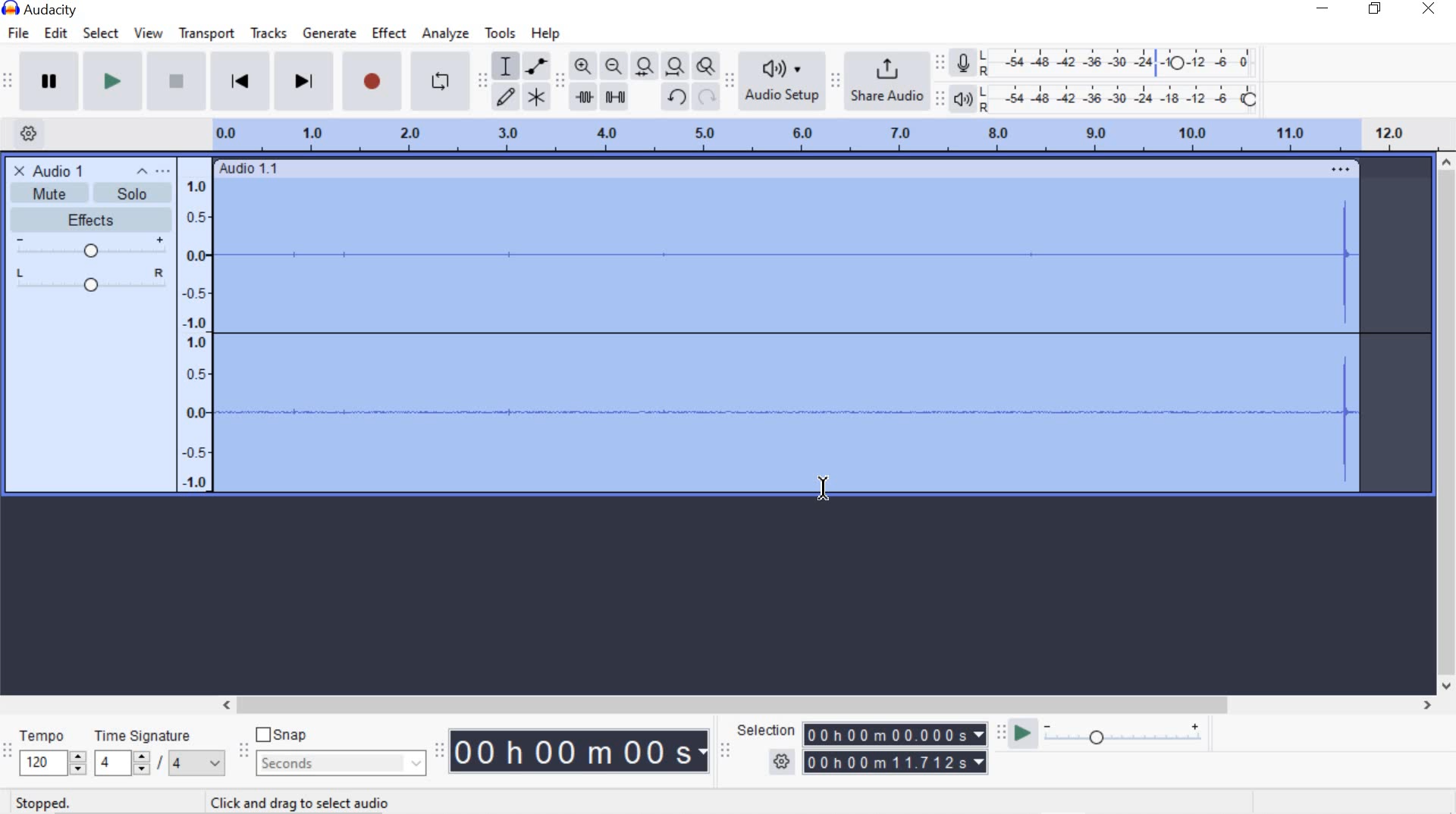 The width and height of the screenshot is (1456, 814). What do you see at coordinates (538, 65) in the screenshot?
I see `Envelope Tool` at bounding box center [538, 65].